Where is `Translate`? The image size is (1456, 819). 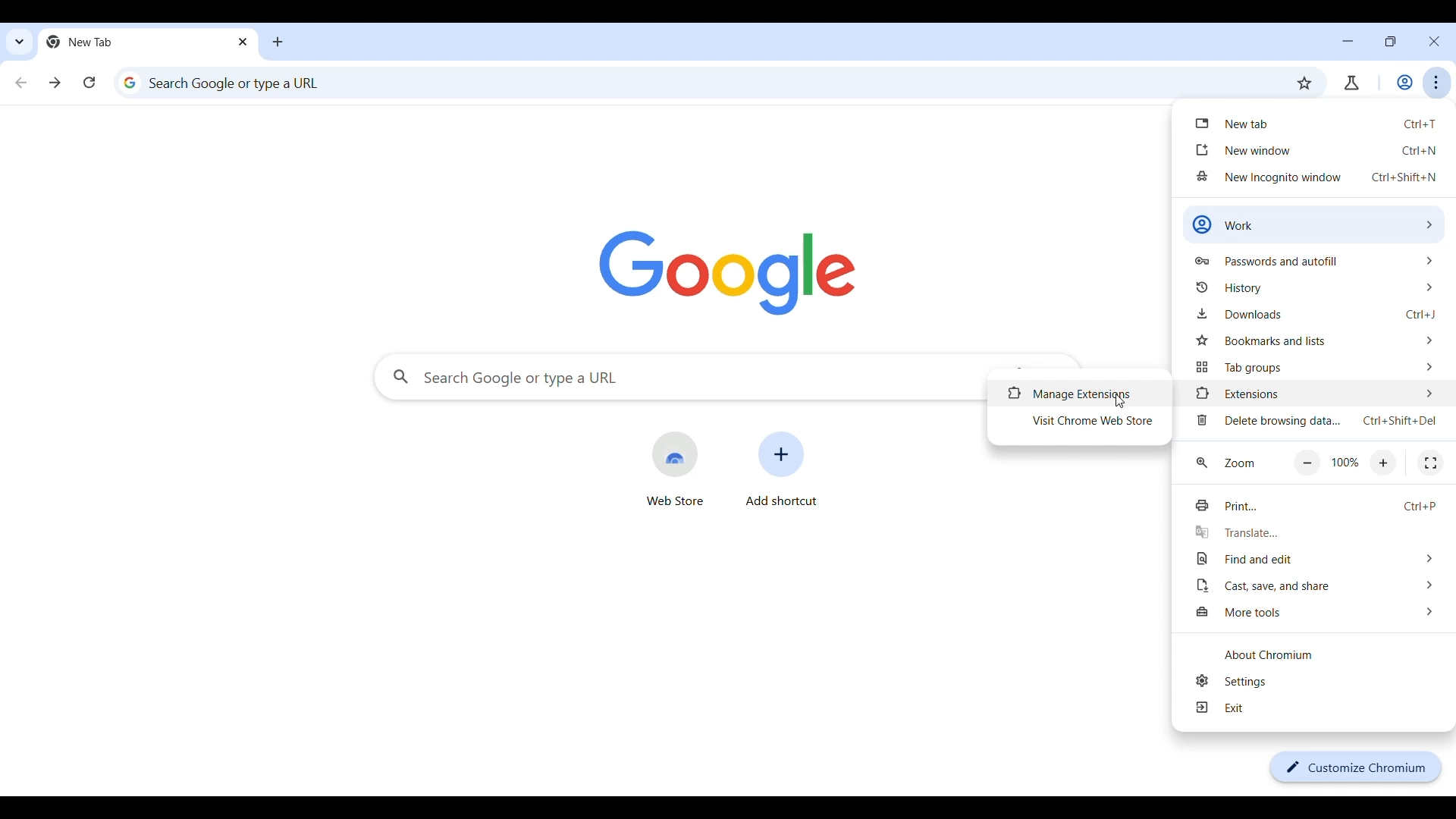 Translate is located at coordinates (1317, 532).